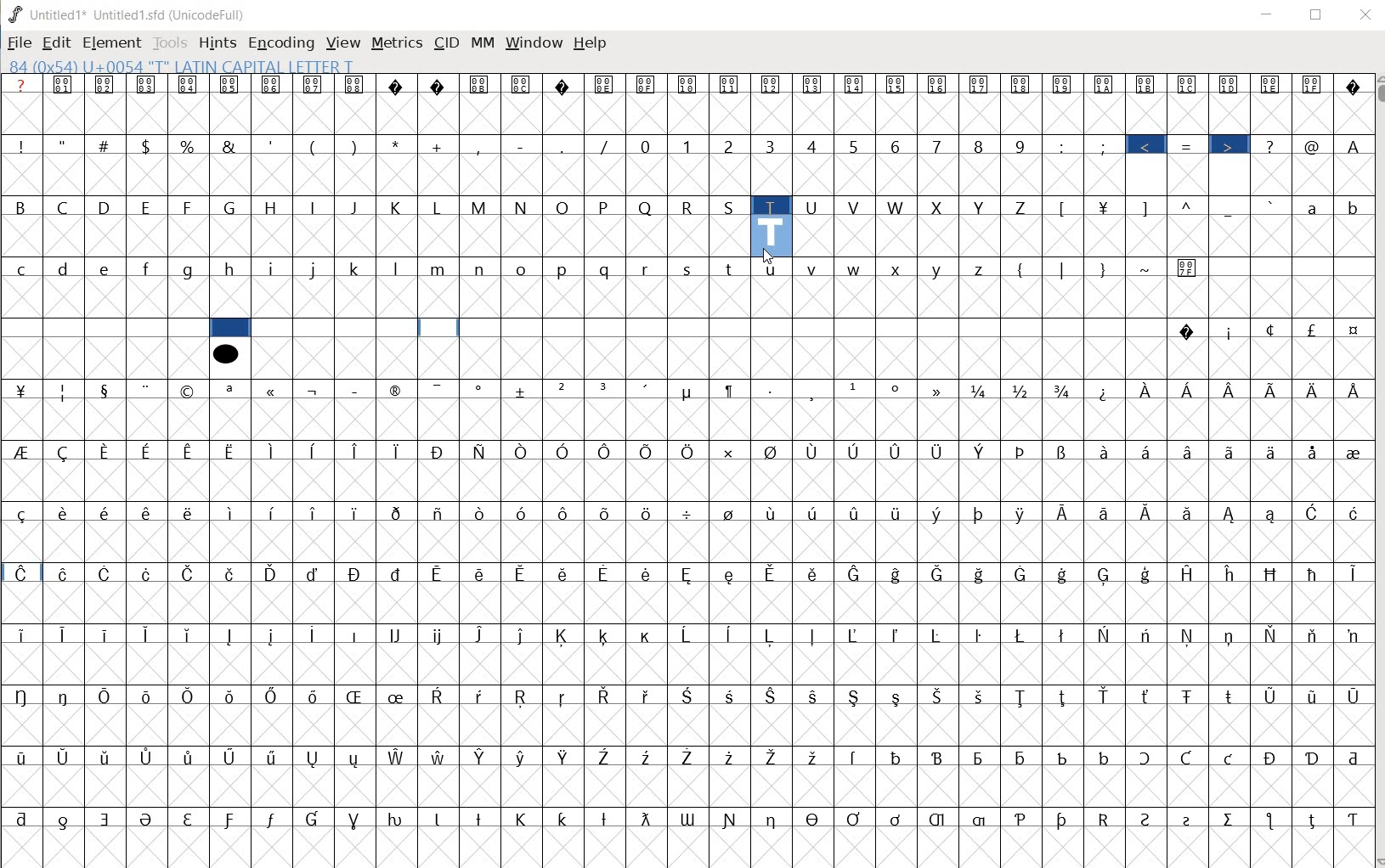 The width and height of the screenshot is (1385, 868). What do you see at coordinates (1314, 513) in the screenshot?
I see `Symbol` at bounding box center [1314, 513].